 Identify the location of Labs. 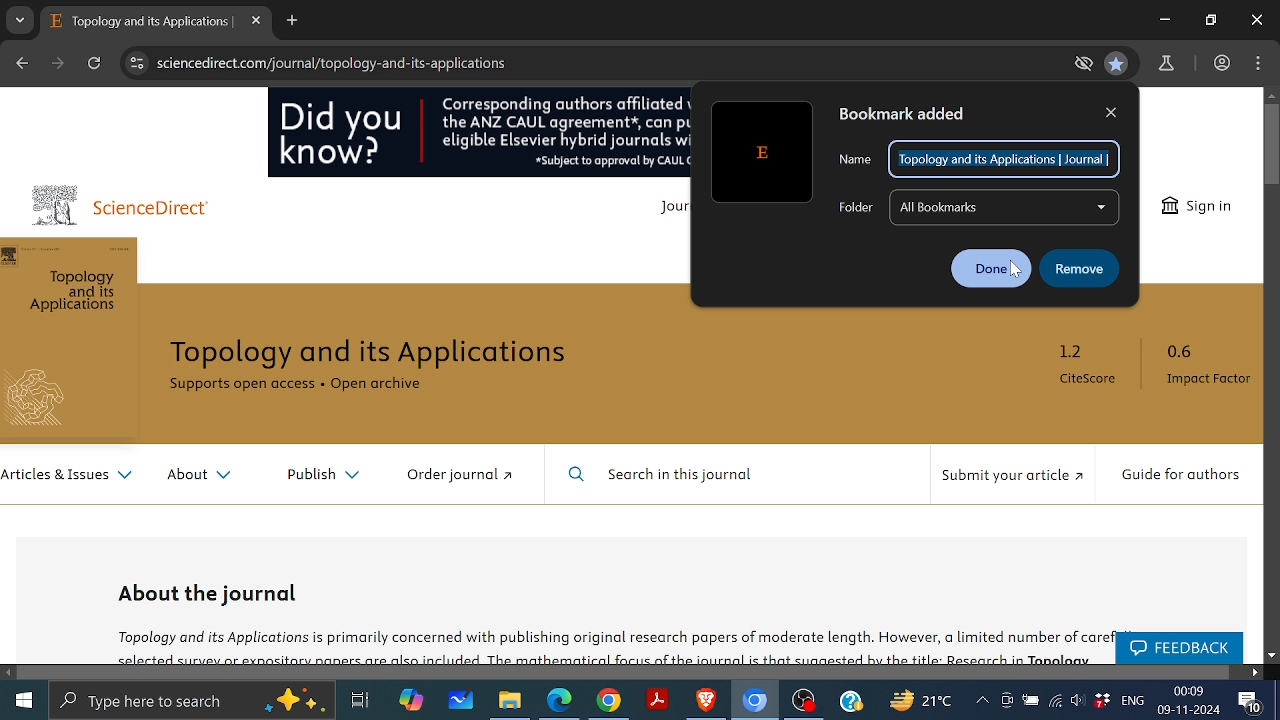
(1168, 64).